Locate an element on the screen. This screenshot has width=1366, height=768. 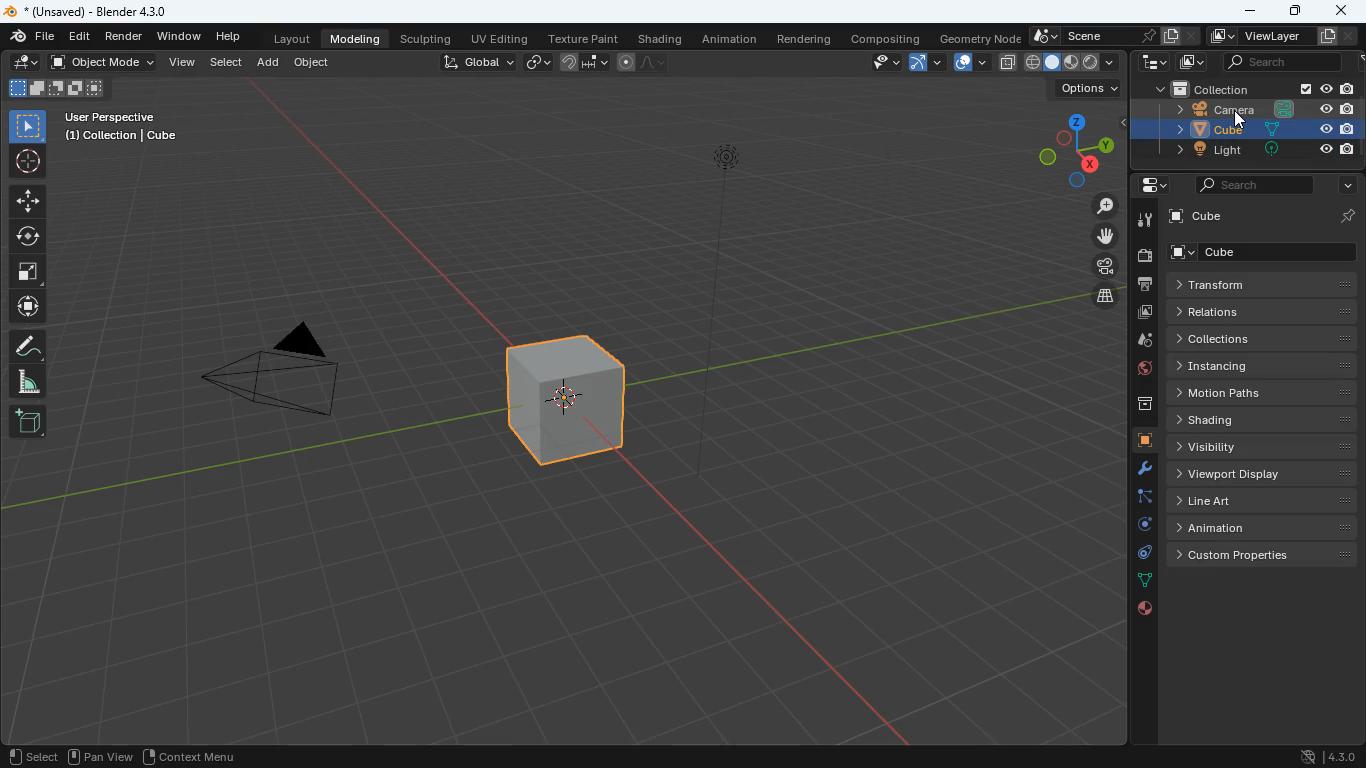
collections is located at coordinates (1264, 337).